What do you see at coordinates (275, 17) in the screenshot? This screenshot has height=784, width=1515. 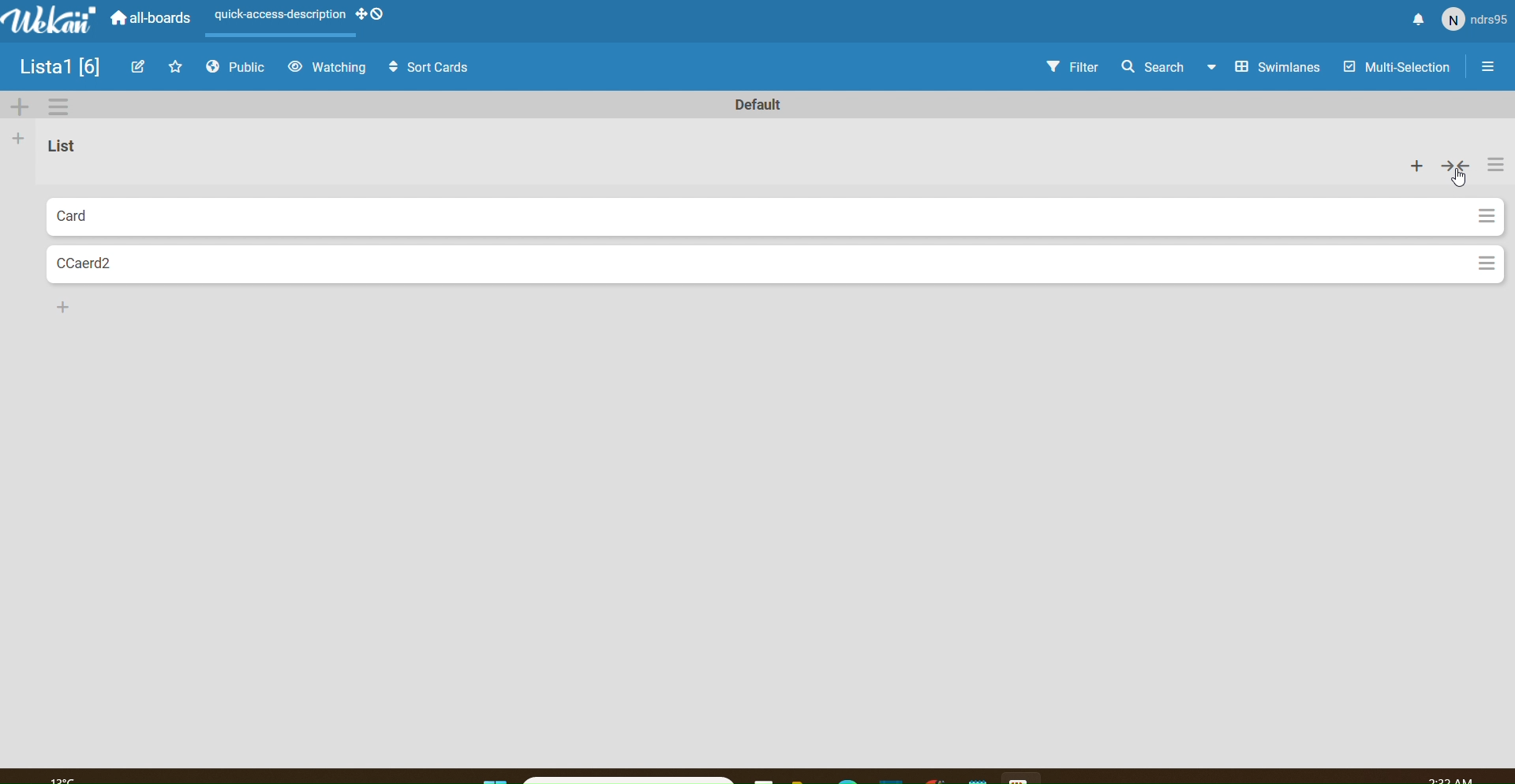 I see `Scene layout` at bounding box center [275, 17].